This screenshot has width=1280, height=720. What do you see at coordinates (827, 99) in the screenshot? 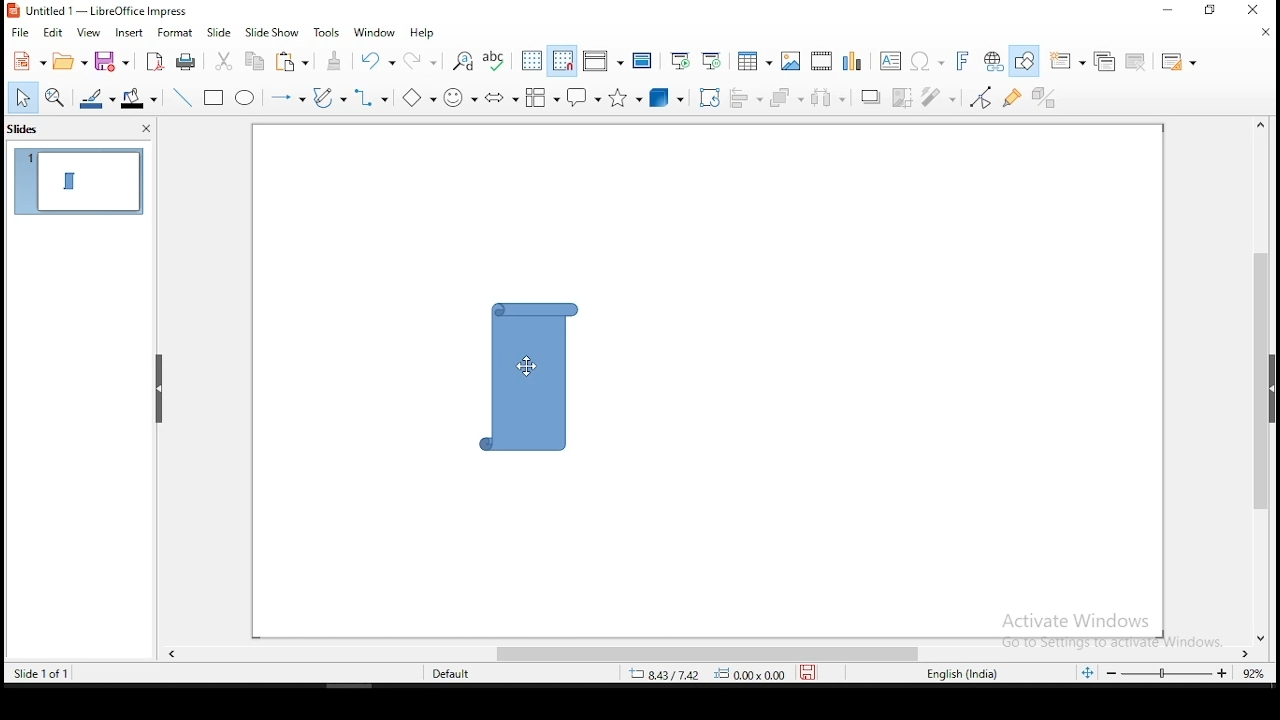
I see `distribute` at bounding box center [827, 99].